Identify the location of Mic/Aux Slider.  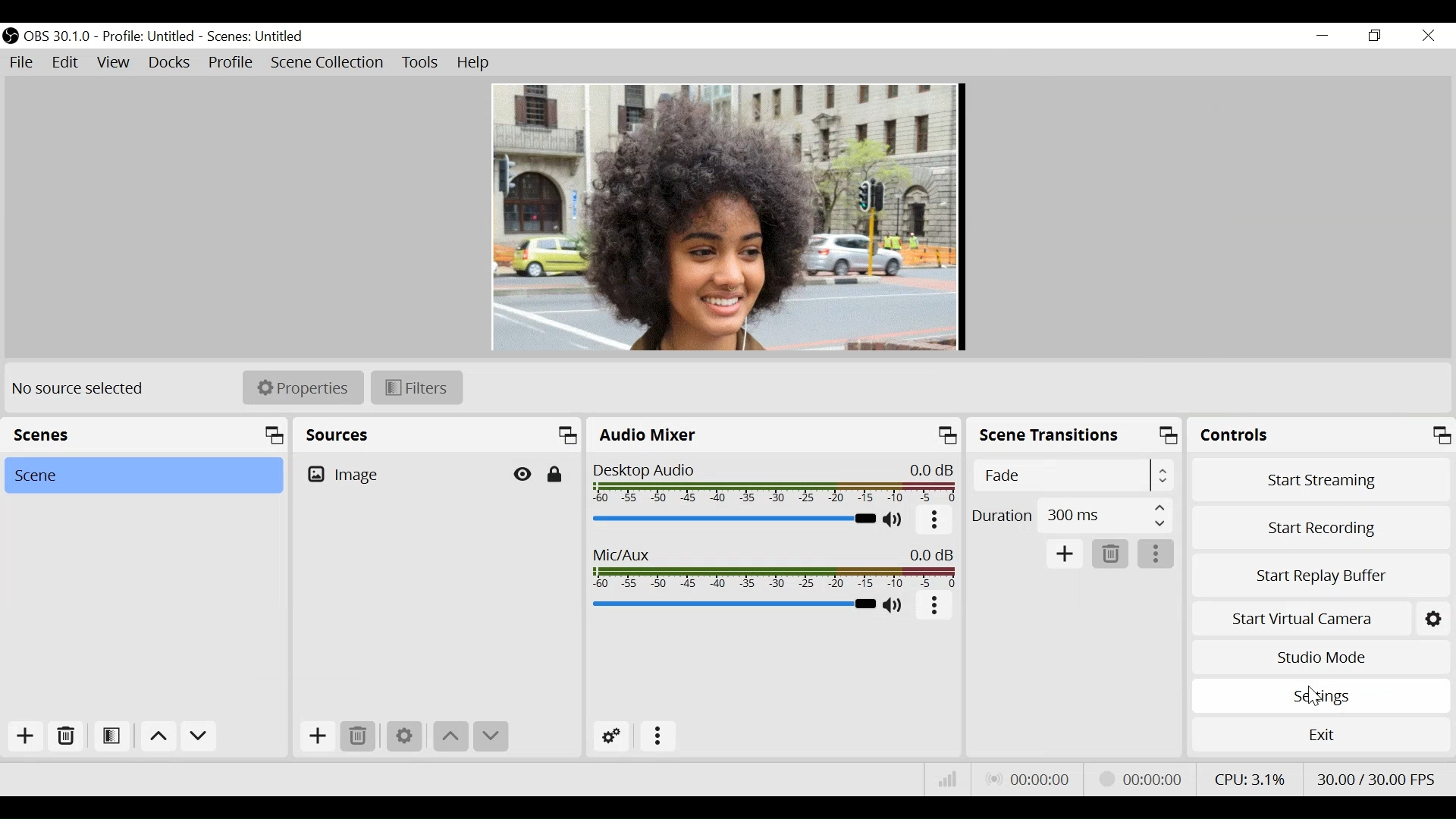
(732, 604).